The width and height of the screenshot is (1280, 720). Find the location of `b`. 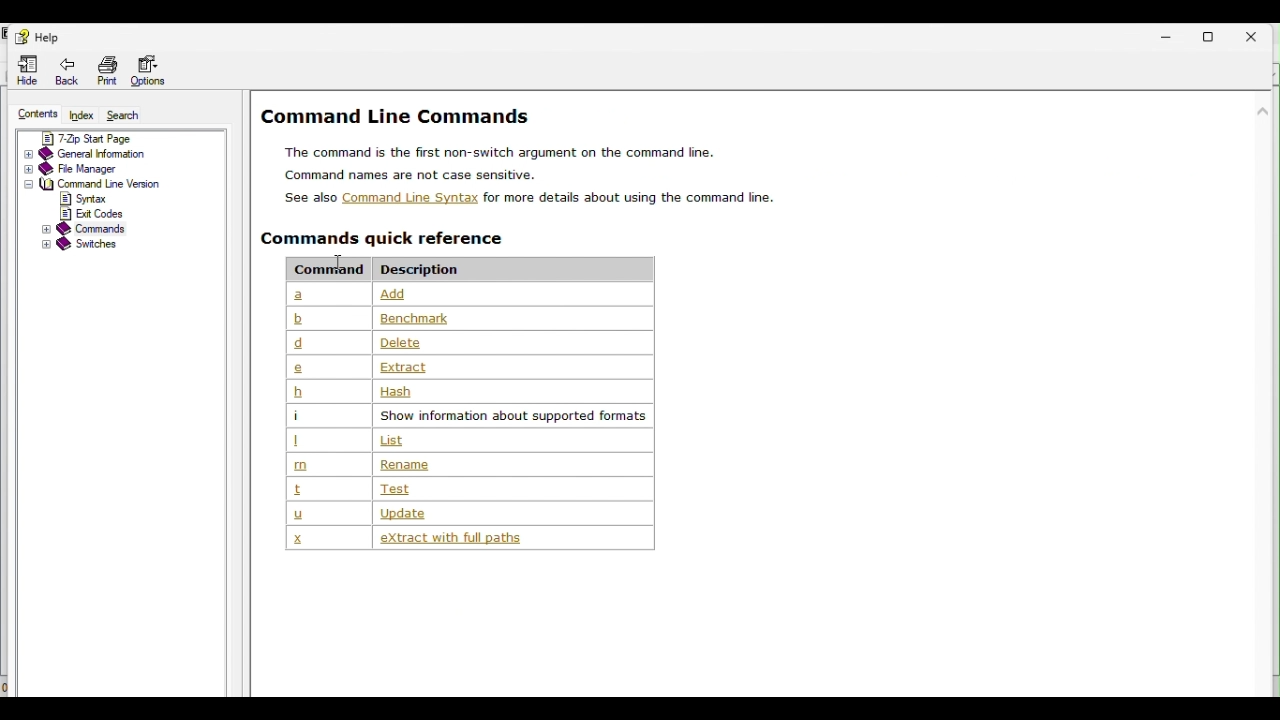

b is located at coordinates (299, 392).